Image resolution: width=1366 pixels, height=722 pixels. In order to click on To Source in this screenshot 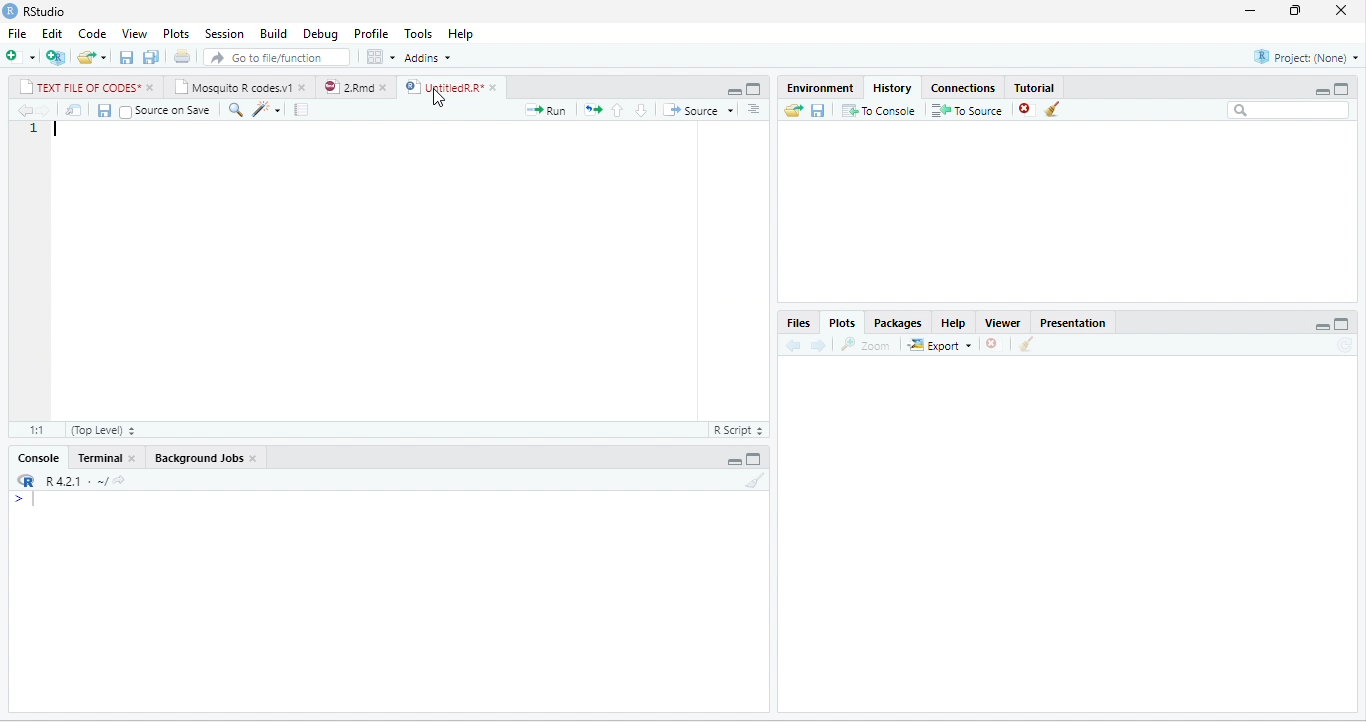, I will do `click(968, 109)`.